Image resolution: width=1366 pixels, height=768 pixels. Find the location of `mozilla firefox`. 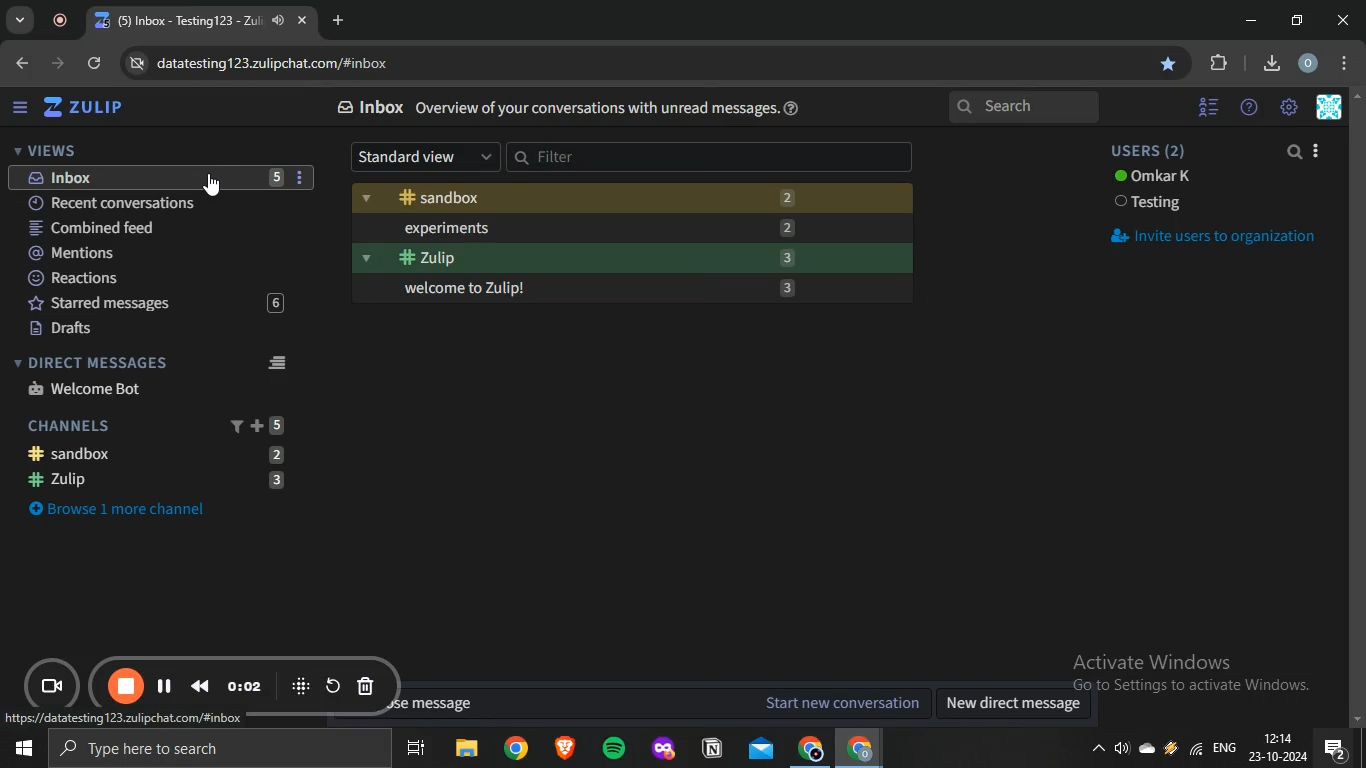

mozilla firefox is located at coordinates (662, 749).